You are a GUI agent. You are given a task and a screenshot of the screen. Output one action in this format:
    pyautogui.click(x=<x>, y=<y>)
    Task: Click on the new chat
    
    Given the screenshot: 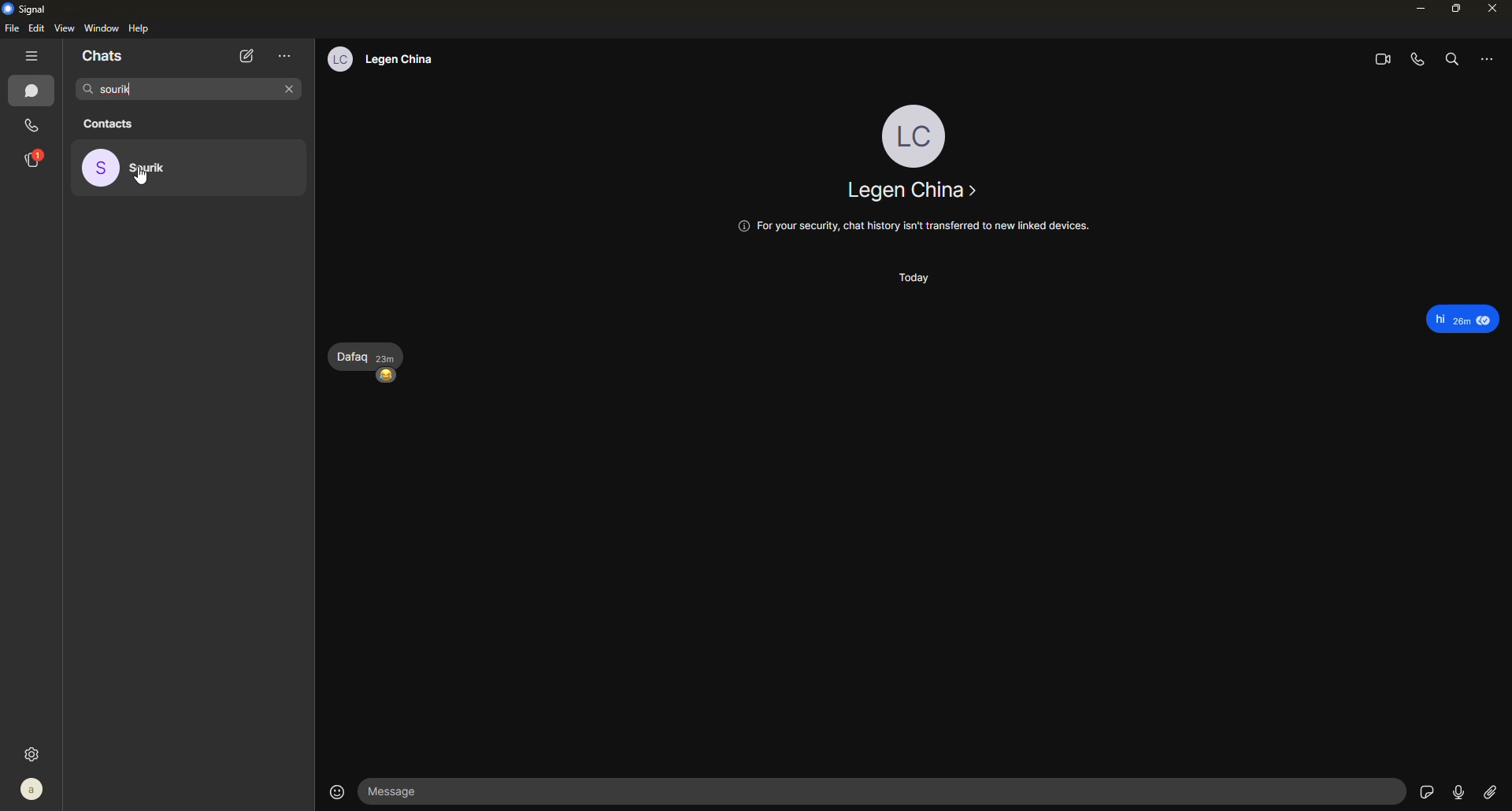 What is the action you would take?
    pyautogui.click(x=247, y=57)
    